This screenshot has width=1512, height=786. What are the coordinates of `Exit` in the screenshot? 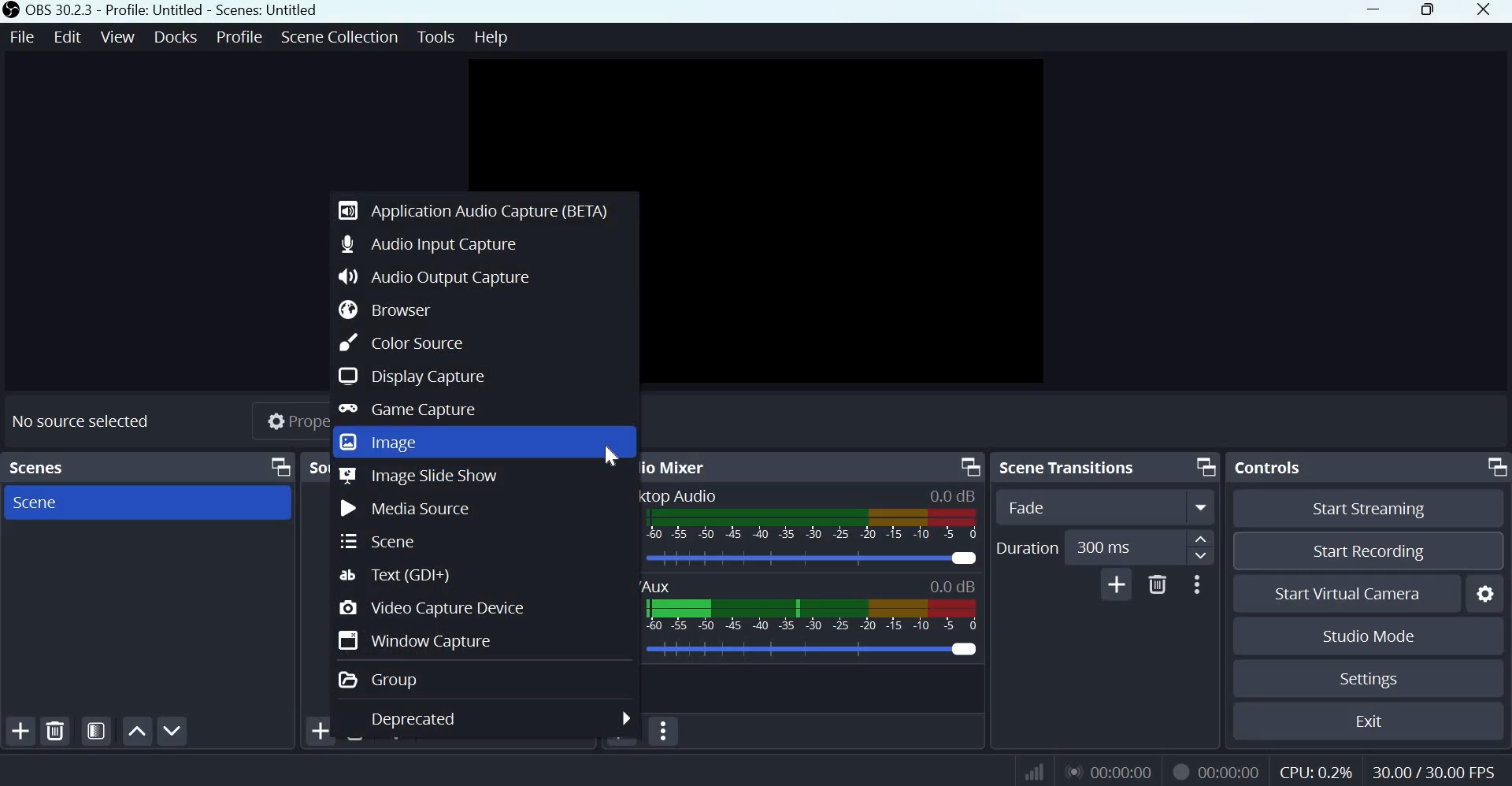 It's located at (1370, 719).